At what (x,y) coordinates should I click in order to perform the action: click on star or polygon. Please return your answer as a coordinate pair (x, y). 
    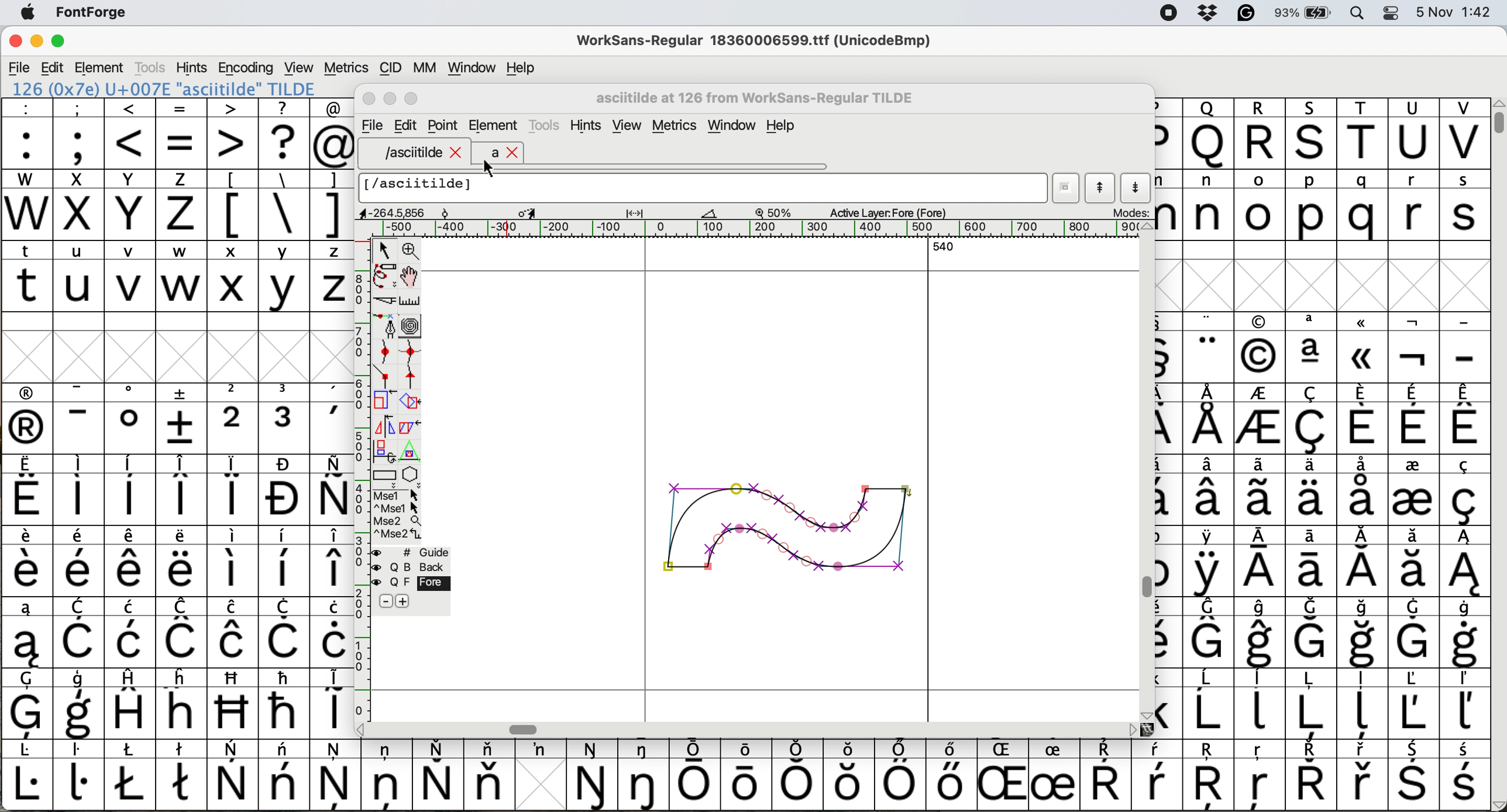
    Looking at the image, I should click on (411, 474).